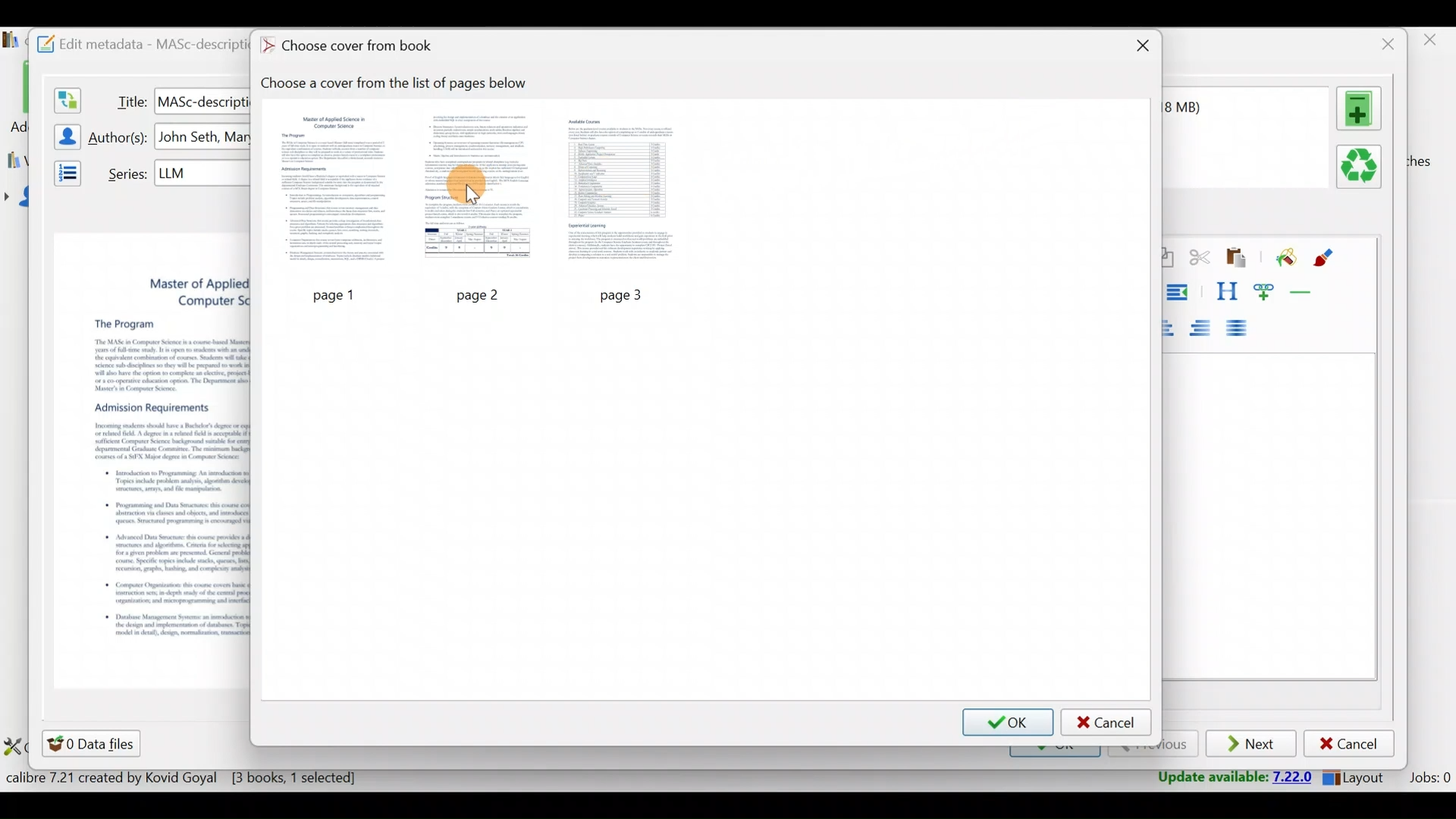  I want to click on Background colour, so click(1284, 259).